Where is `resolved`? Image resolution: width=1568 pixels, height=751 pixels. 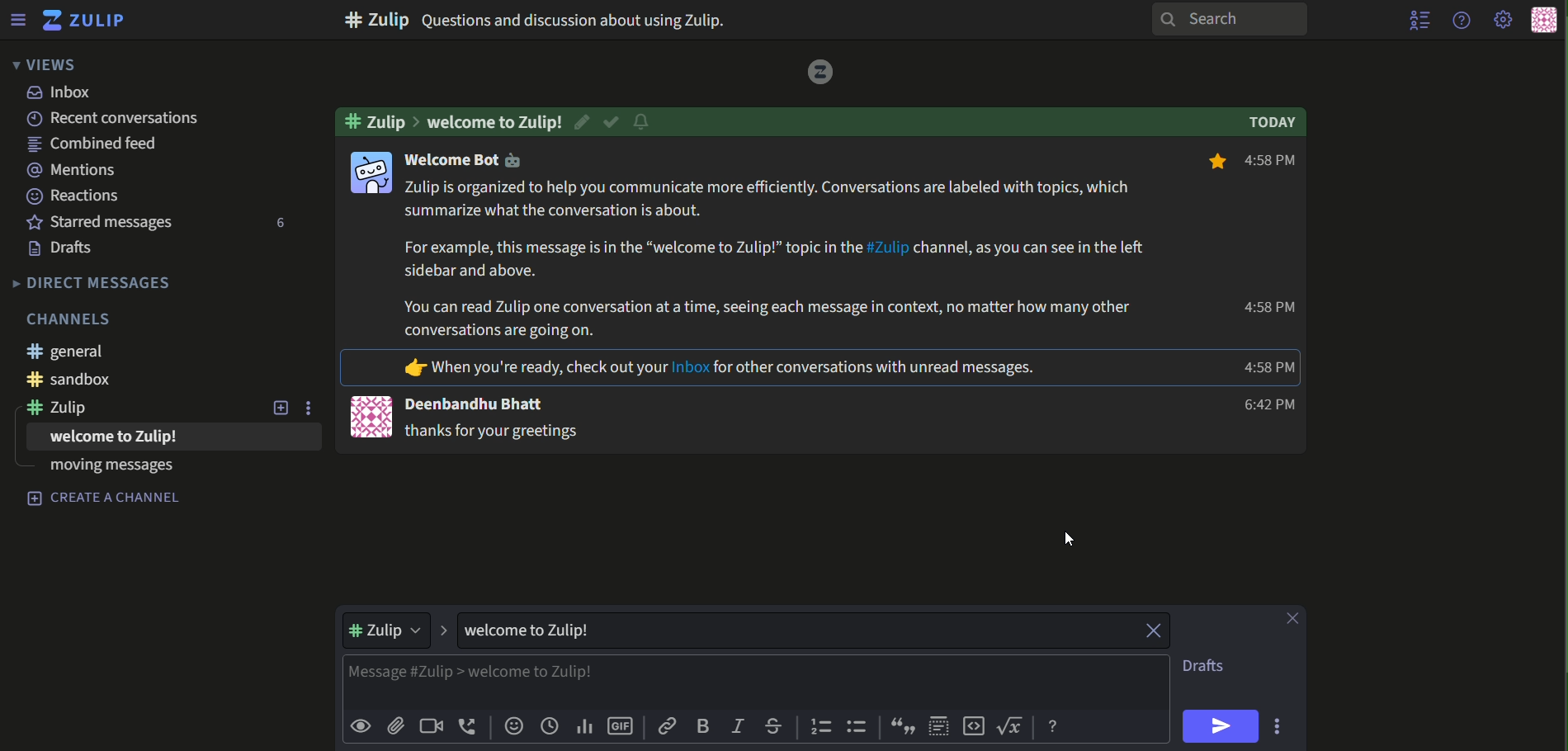
resolved is located at coordinates (612, 122).